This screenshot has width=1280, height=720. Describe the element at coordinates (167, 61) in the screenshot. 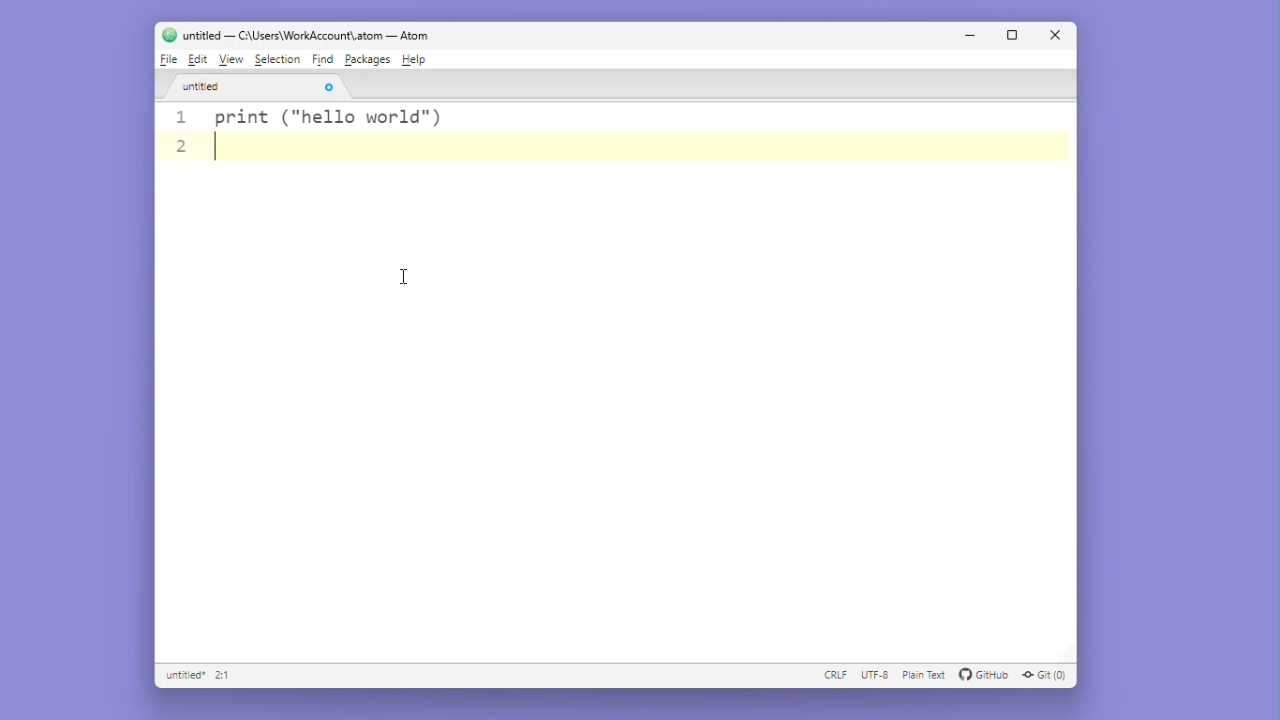

I see `File` at that location.